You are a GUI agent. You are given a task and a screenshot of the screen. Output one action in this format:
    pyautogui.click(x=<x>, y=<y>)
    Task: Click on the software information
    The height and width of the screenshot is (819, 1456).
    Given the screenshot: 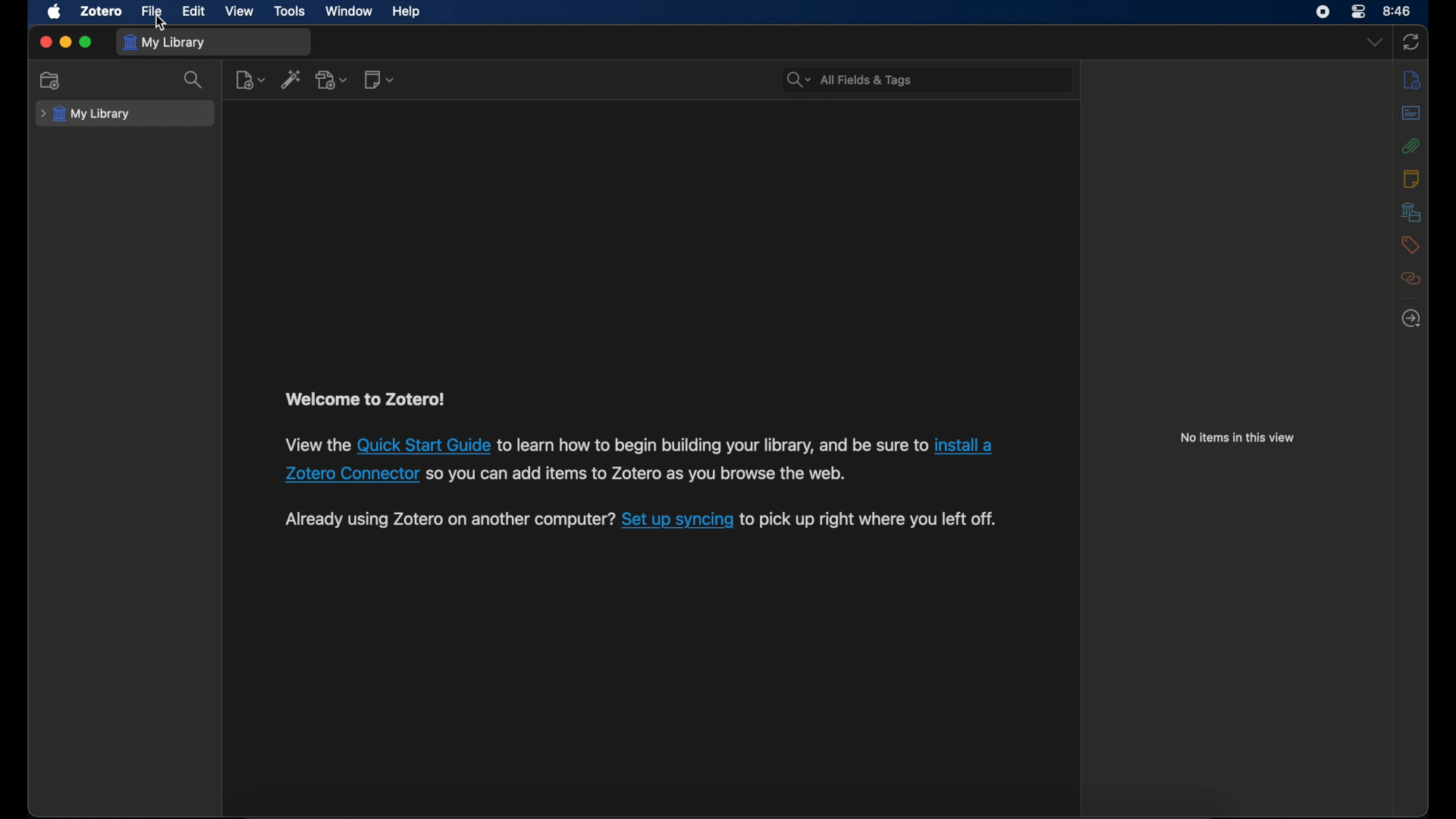 What is the action you would take?
    pyautogui.click(x=450, y=521)
    